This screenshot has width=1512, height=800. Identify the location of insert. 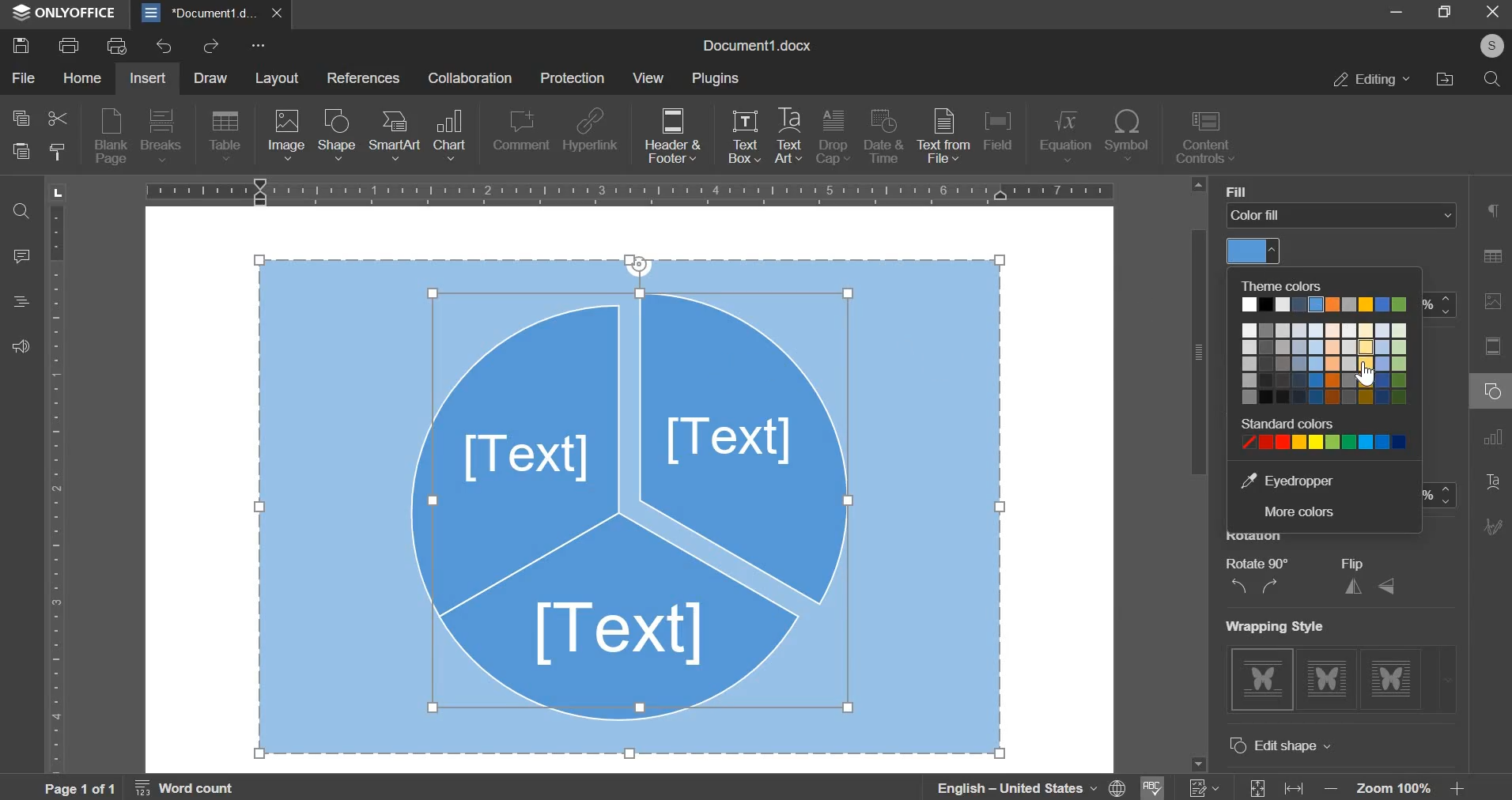
(148, 79).